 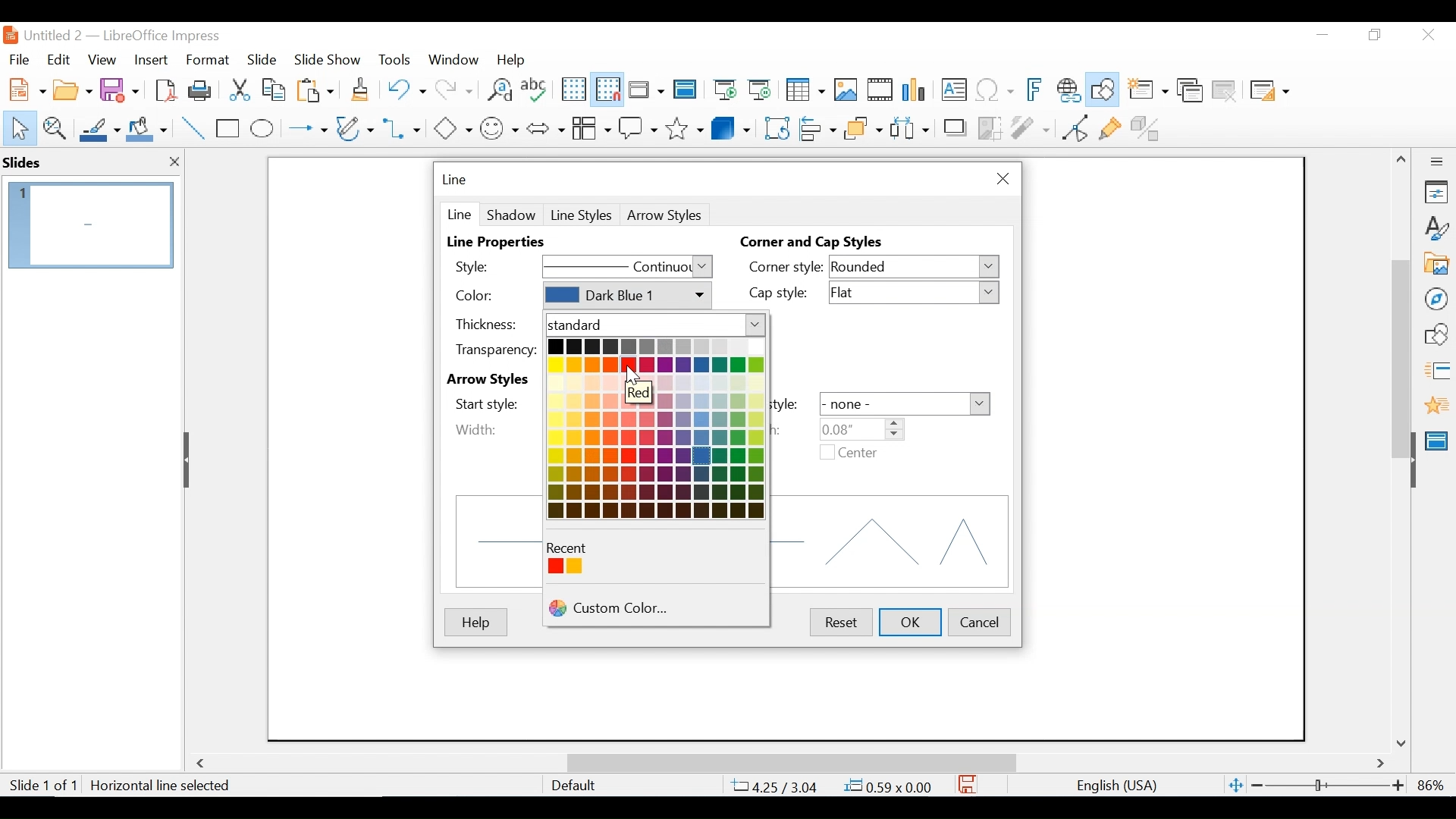 I want to click on Block Arrows, so click(x=544, y=127).